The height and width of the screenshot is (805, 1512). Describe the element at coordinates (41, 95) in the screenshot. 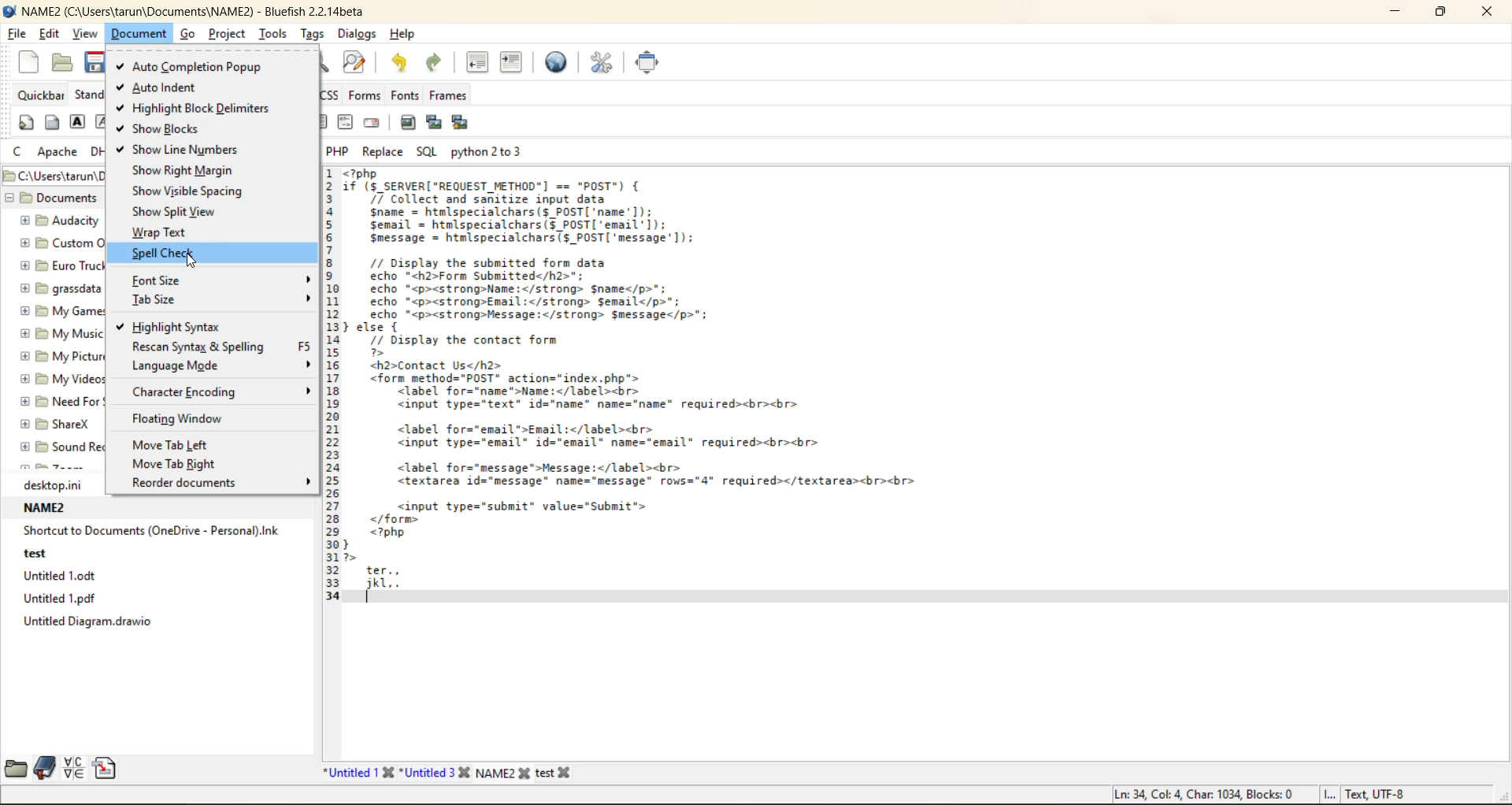

I see `quickbar` at that location.